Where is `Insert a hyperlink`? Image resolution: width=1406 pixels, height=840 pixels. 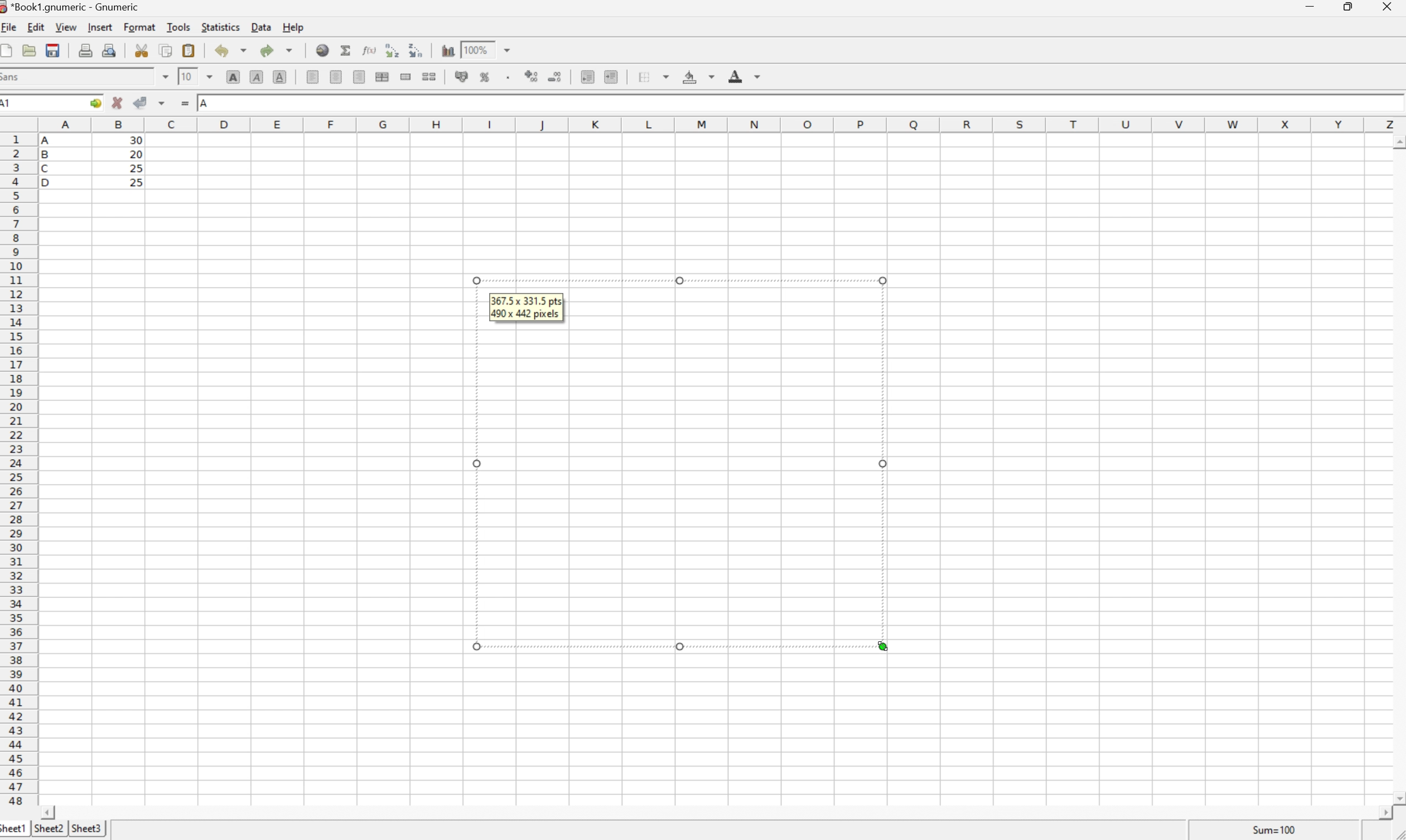 Insert a hyperlink is located at coordinates (323, 50).